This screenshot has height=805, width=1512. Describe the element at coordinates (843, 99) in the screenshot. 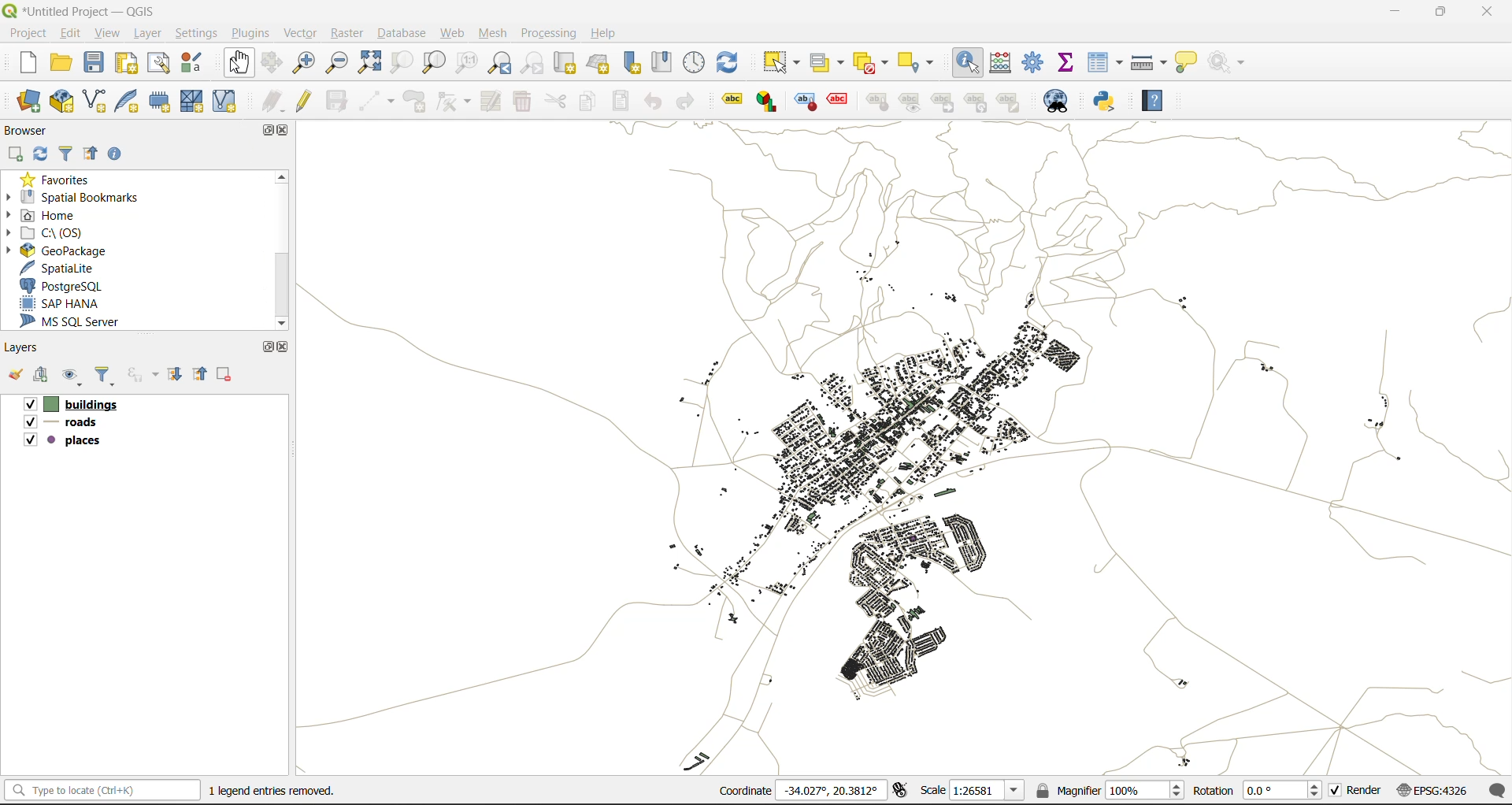

I see `Effect` at that location.